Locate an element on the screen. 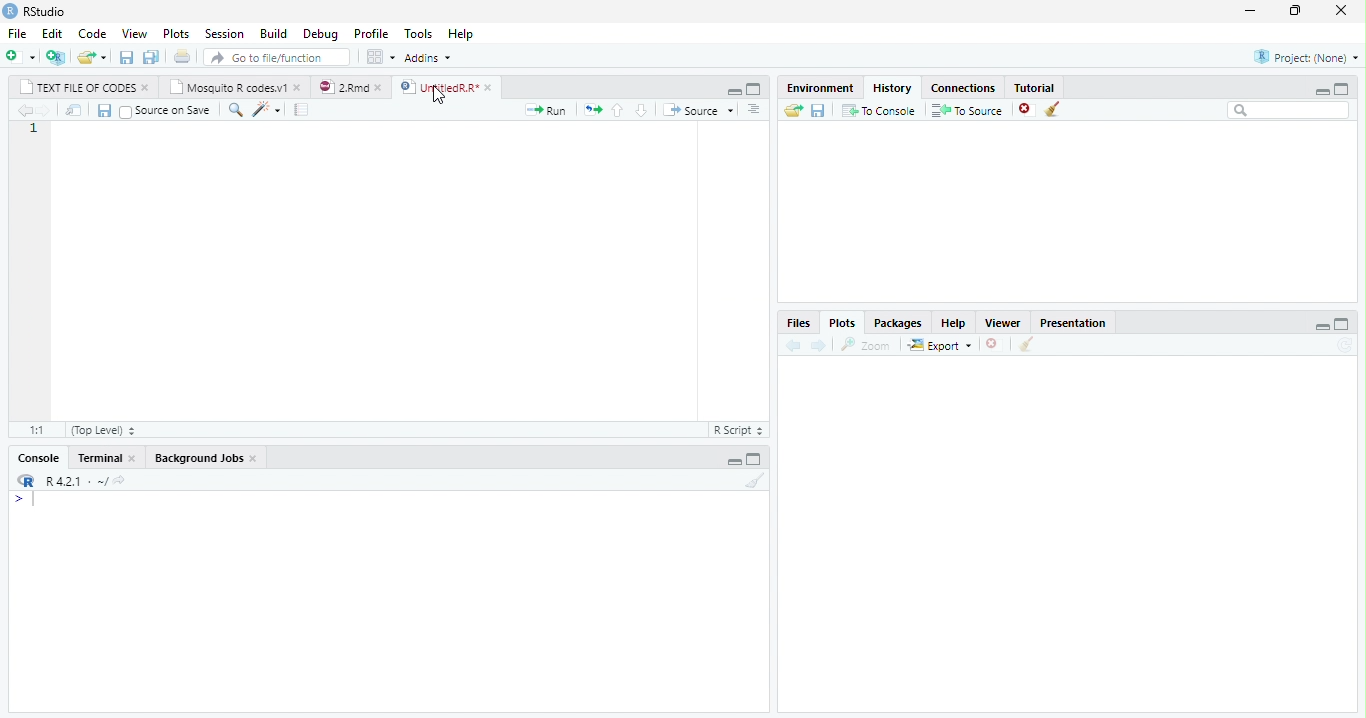  tools is located at coordinates (415, 33).